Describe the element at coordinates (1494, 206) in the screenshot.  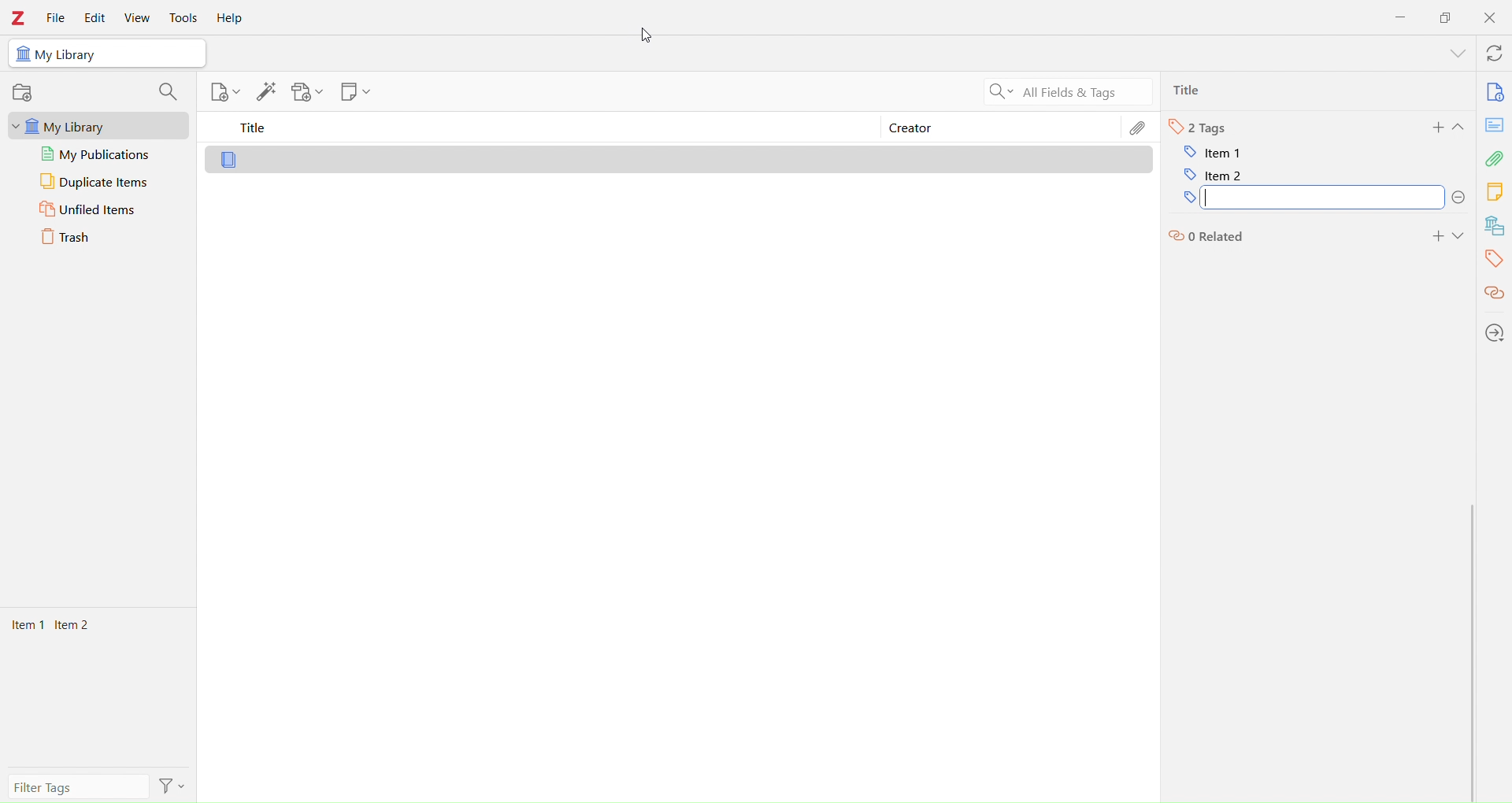
I see `Library tools bar` at that location.